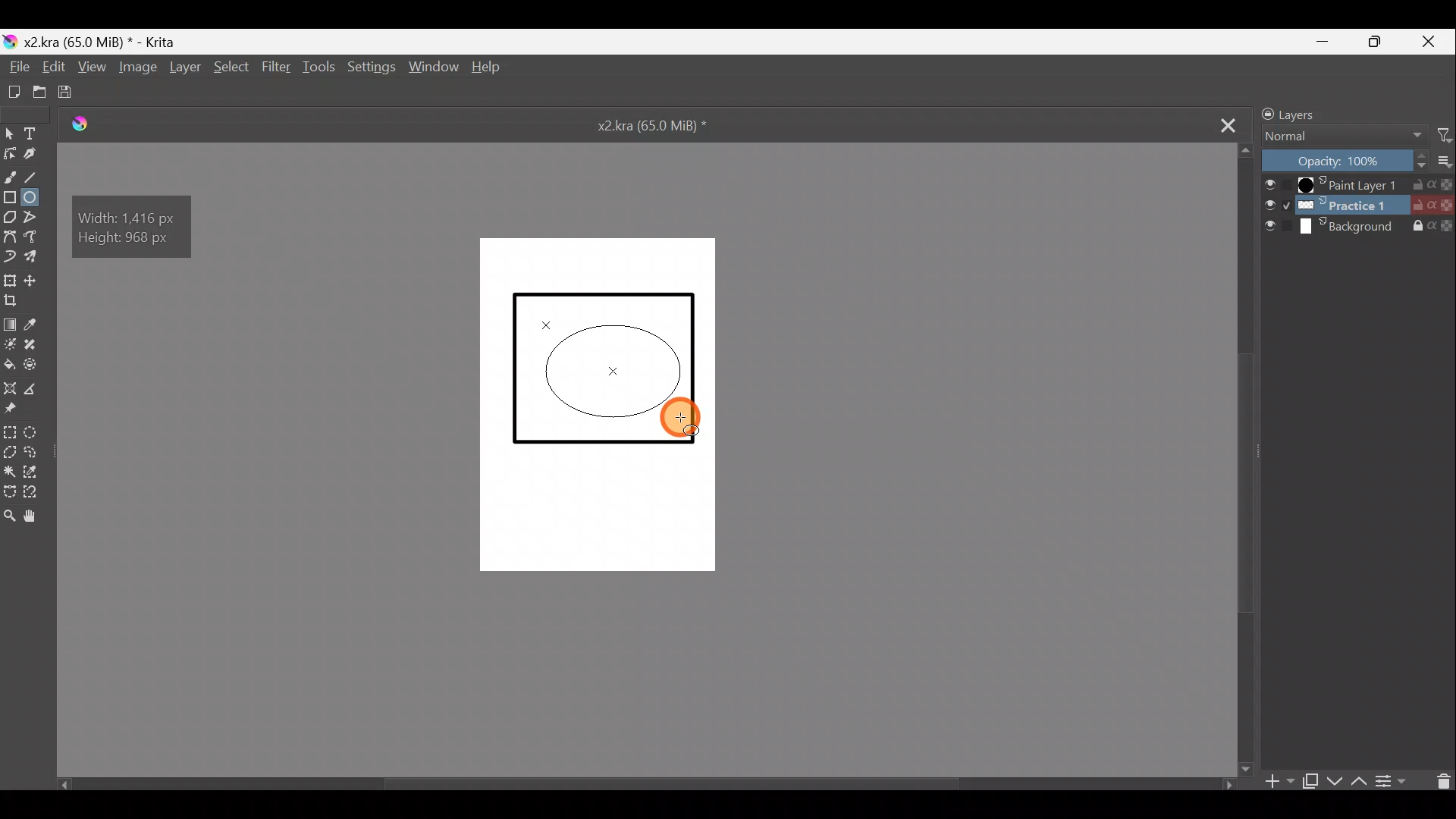 This screenshot has width=1456, height=819. What do you see at coordinates (37, 175) in the screenshot?
I see `Line tool` at bounding box center [37, 175].